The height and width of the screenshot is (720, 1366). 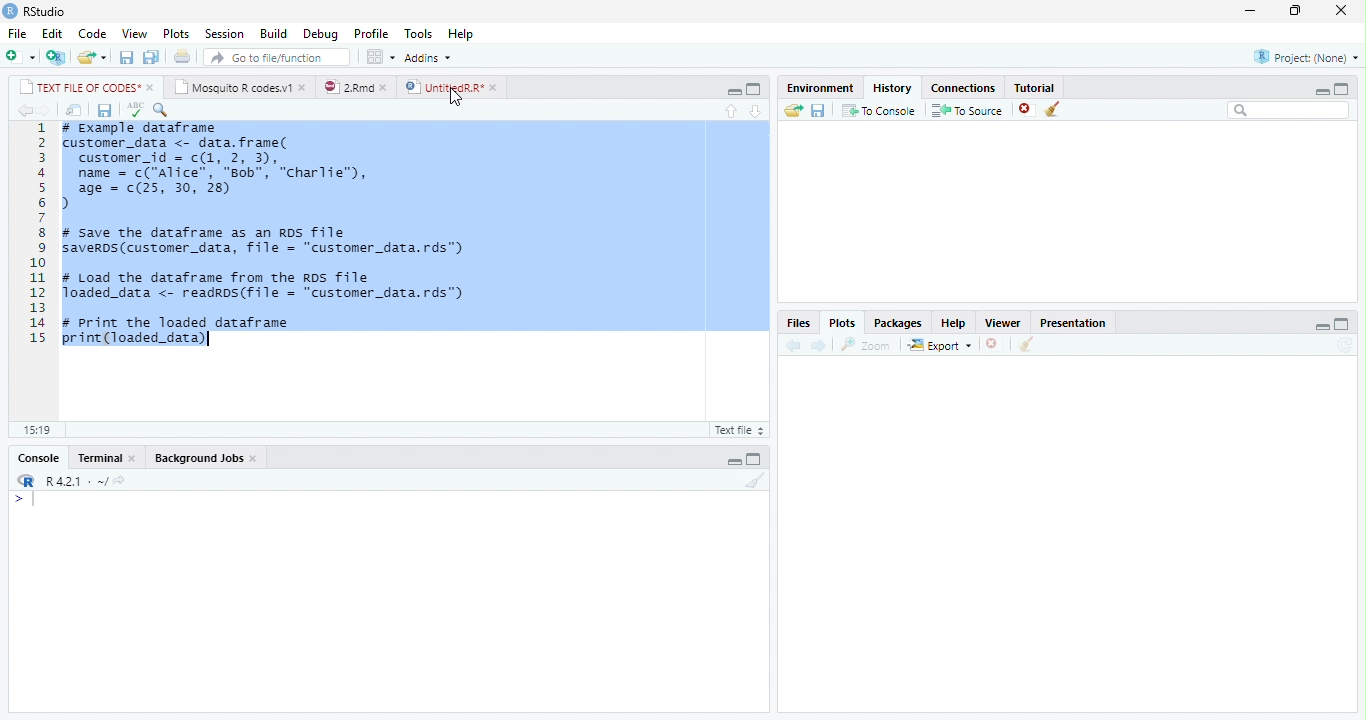 What do you see at coordinates (75, 111) in the screenshot?
I see `open in new window` at bounding box center [75, 111].